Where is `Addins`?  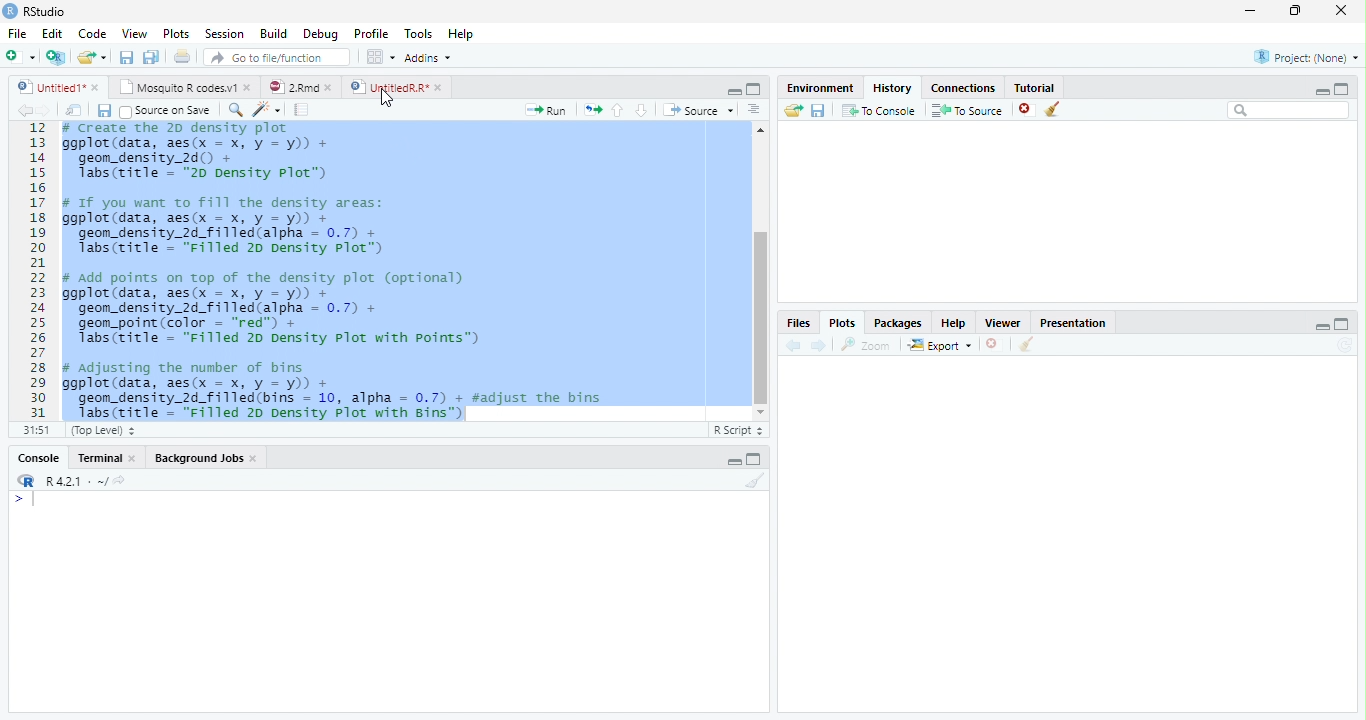 Addins is located at coordinates (427, 57).